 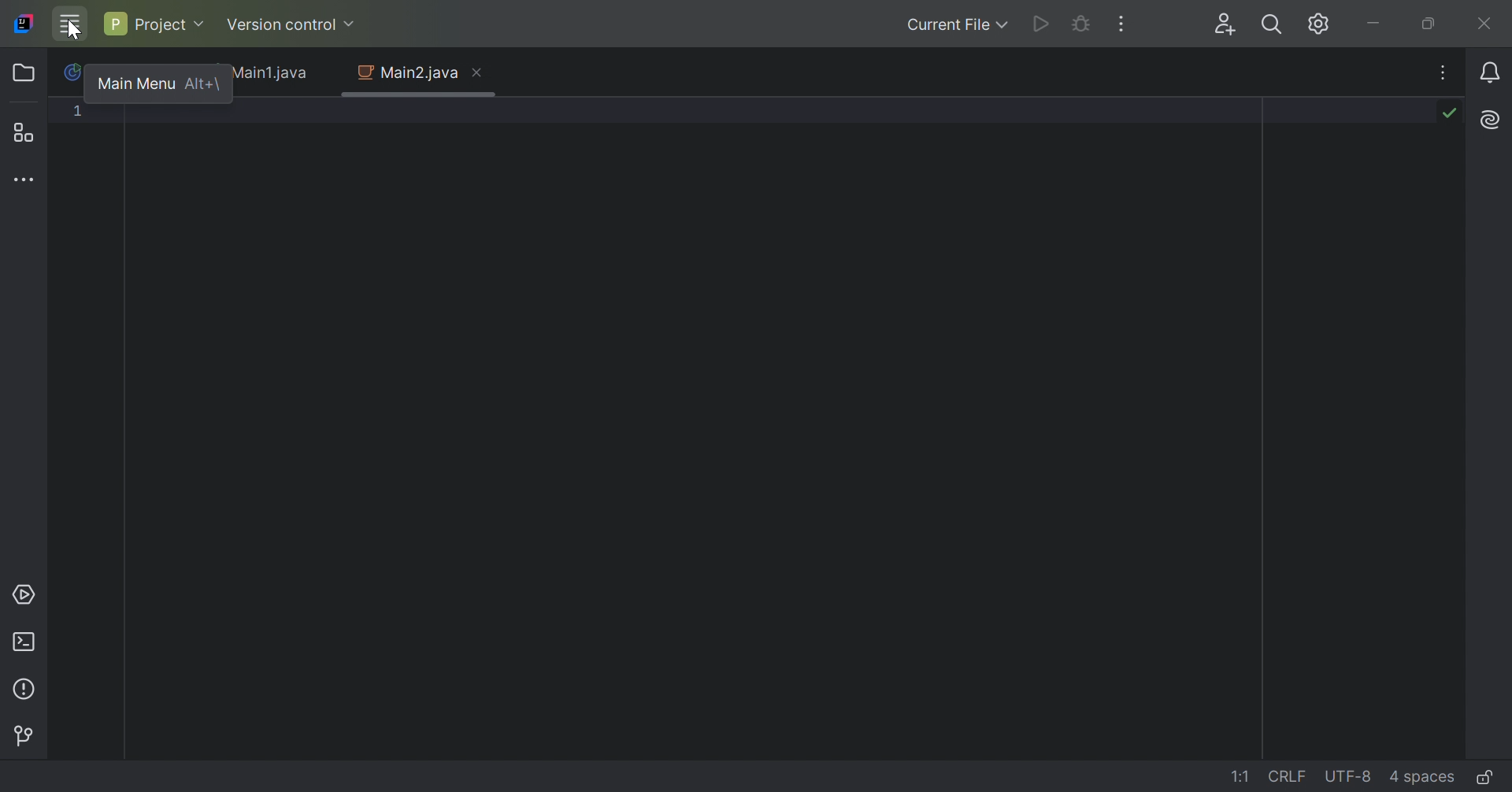 I want to click on Debug, so click(x=1080, y=26).